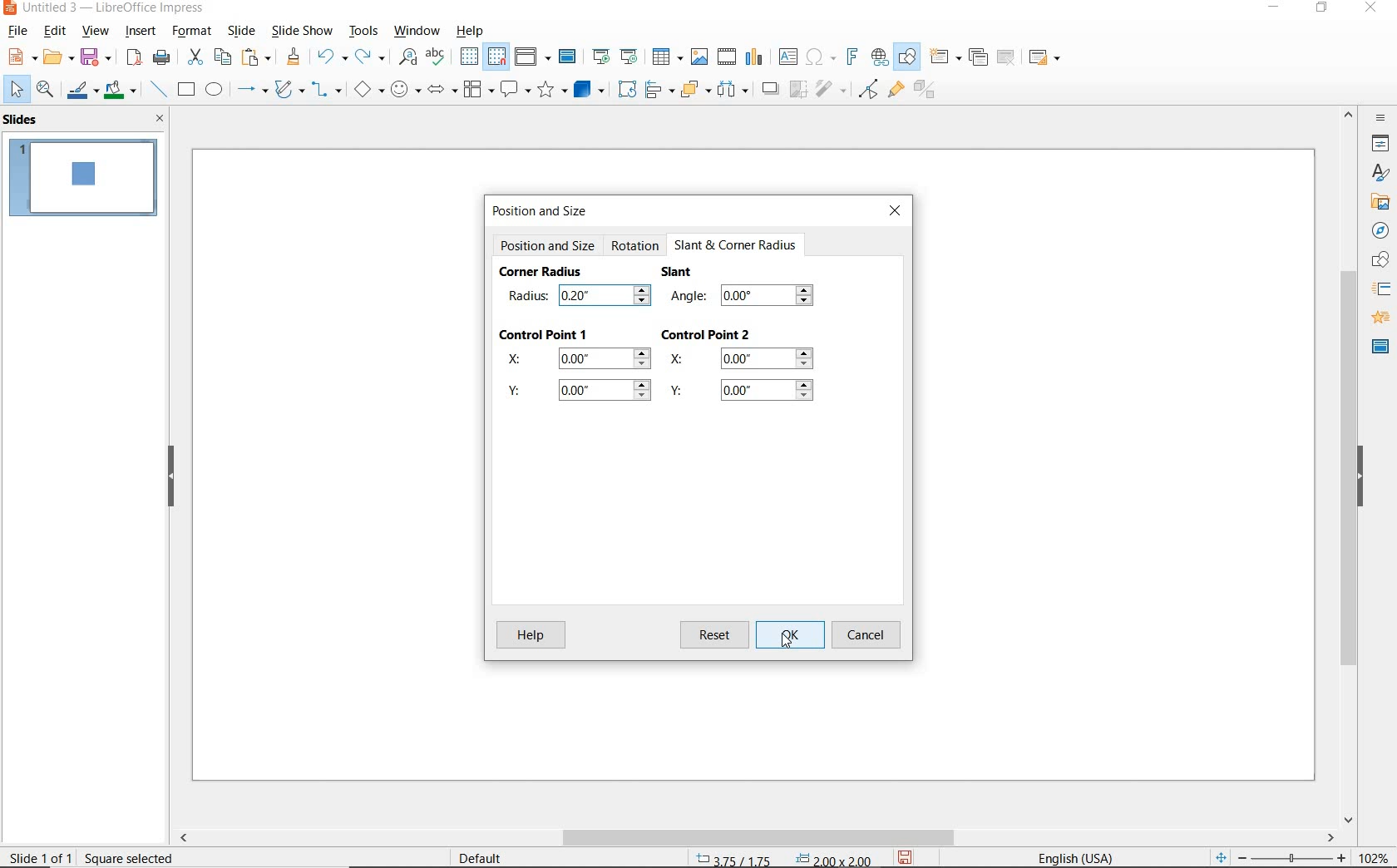 This screenshot has height=868, width=1397. Describe the element at coordinates (370, 58) in the screenshot. I see `redo` at that location.